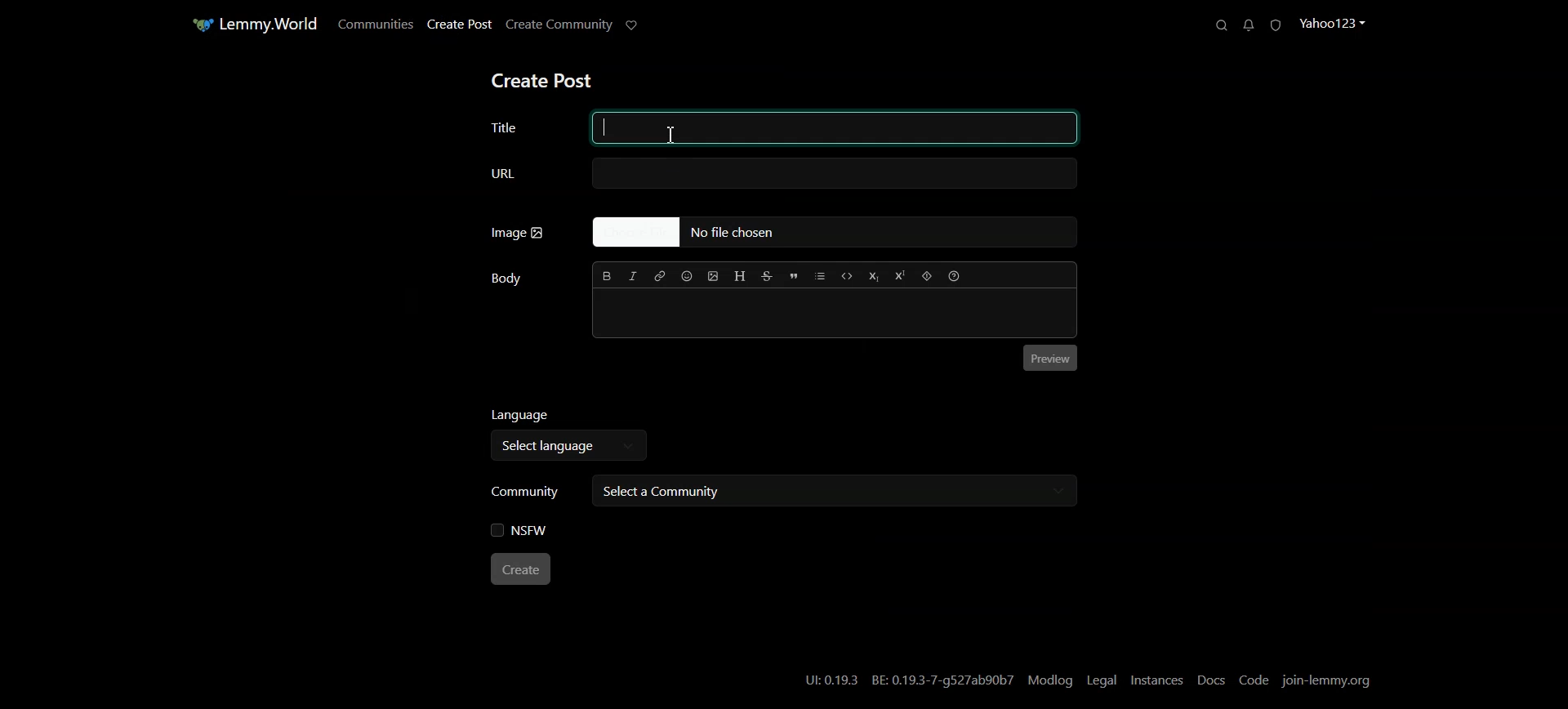 The width and height of the screenshot is (1568, 709). What do you see at coordinates (1051, 359) in the screenshot?
I see `Preview` at bounding box center [1051, 359].